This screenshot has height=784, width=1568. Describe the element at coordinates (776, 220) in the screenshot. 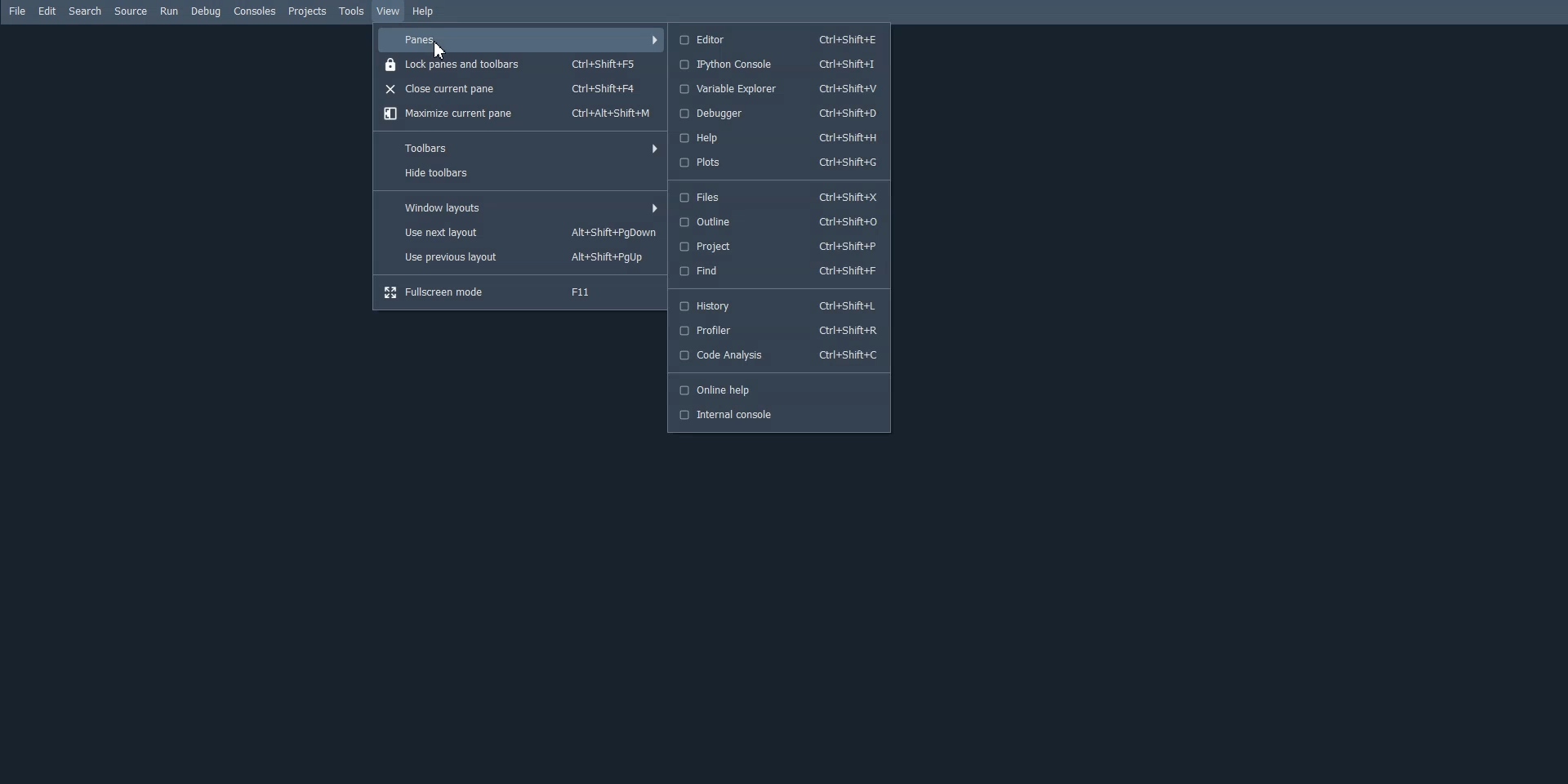

I see `Outline` at that location.